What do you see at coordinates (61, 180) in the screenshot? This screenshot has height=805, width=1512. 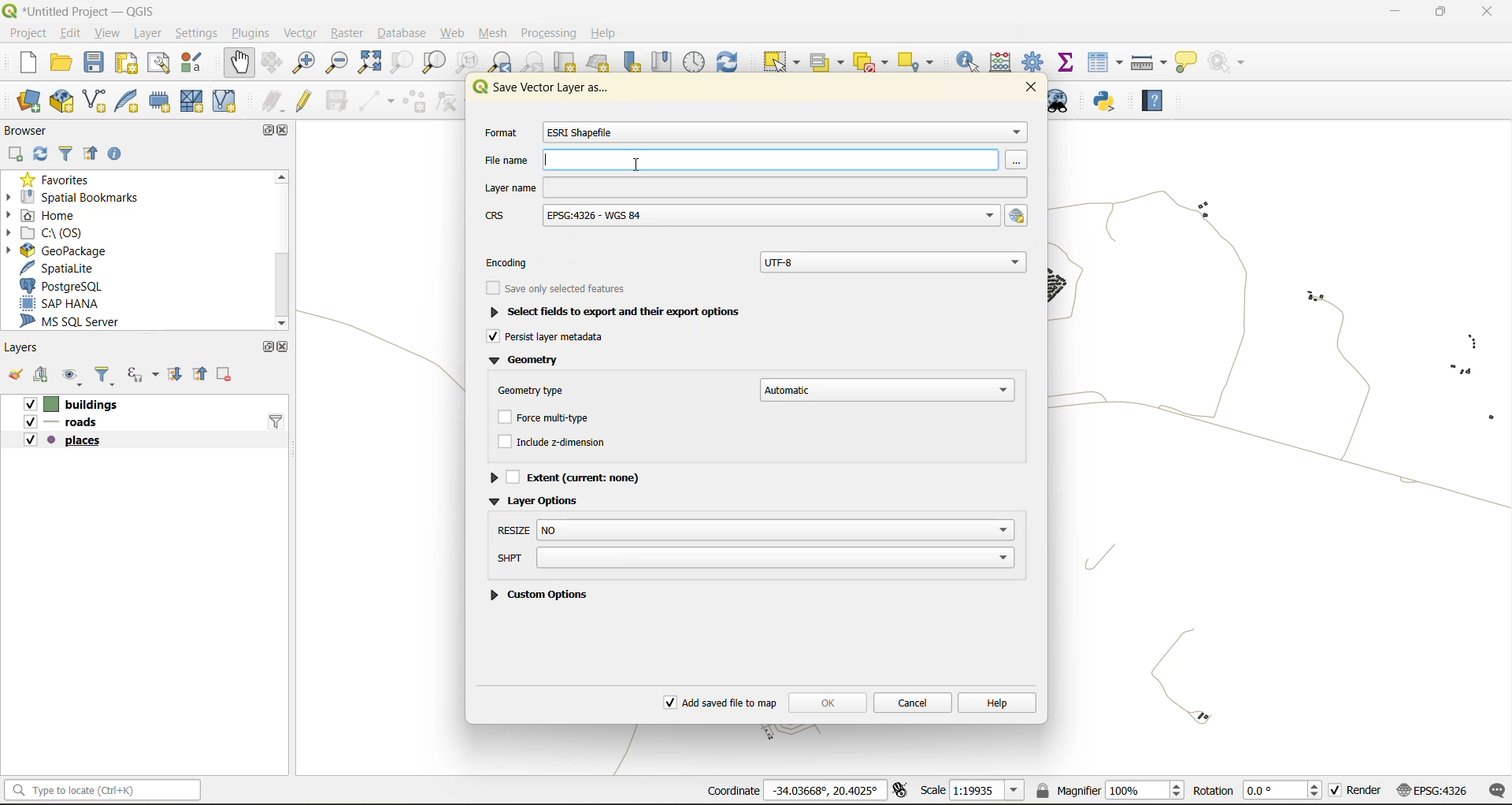 I see `favorites` at bounding box center [61, 180].